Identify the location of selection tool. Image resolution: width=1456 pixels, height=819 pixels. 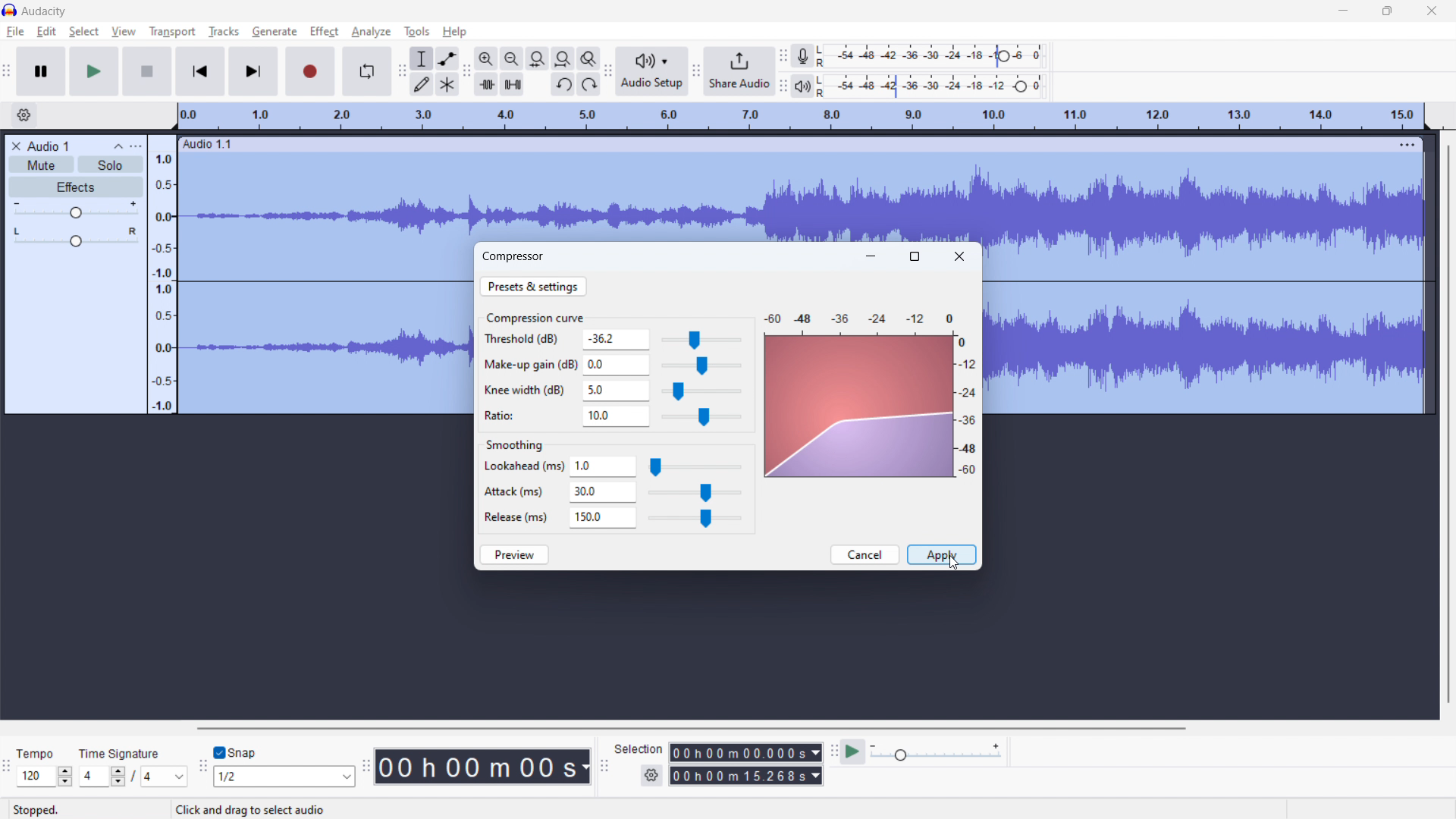
(422, 59).